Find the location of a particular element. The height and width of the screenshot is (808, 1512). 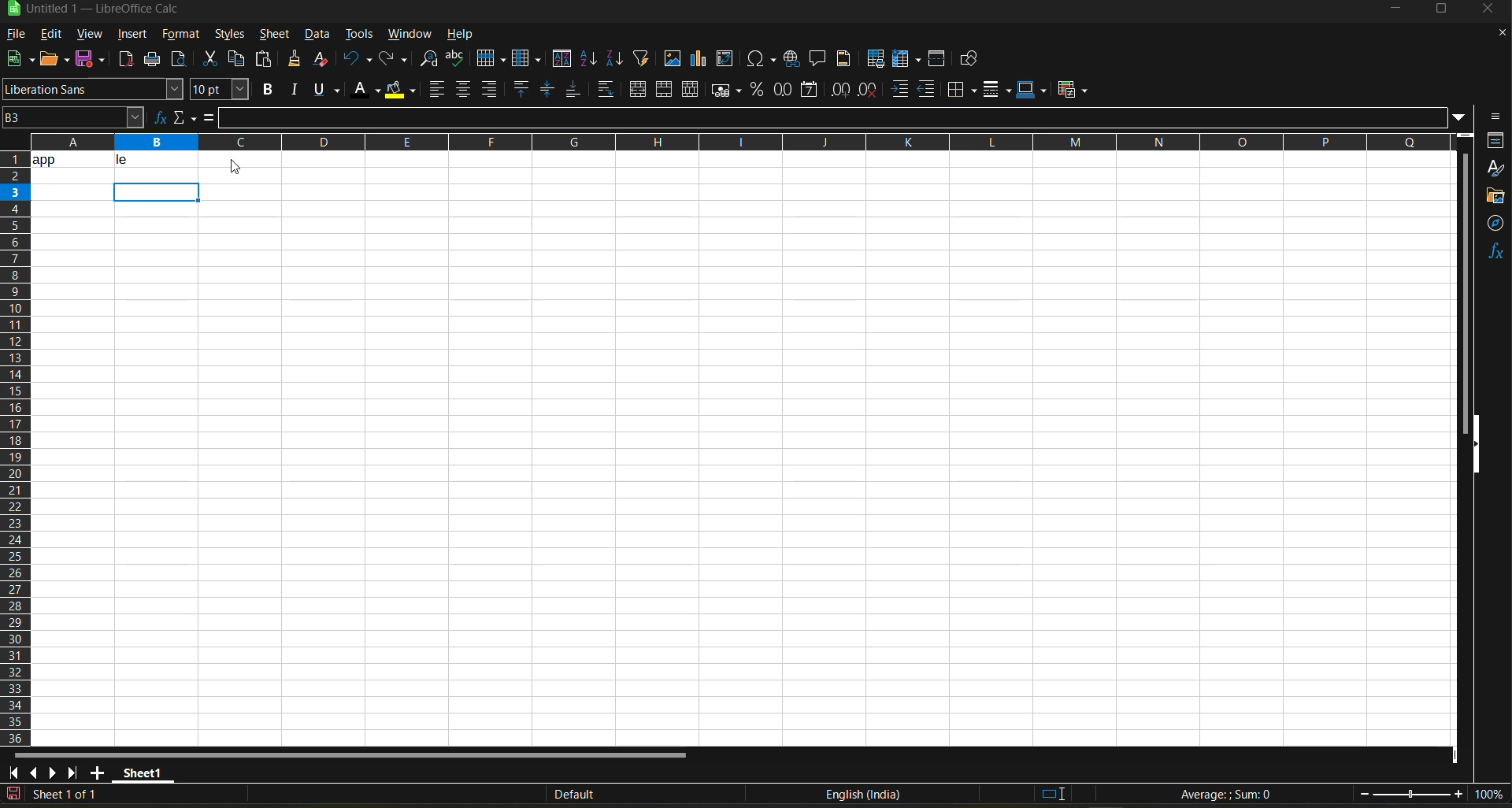

insert chart is located at coordinates (699, 58).